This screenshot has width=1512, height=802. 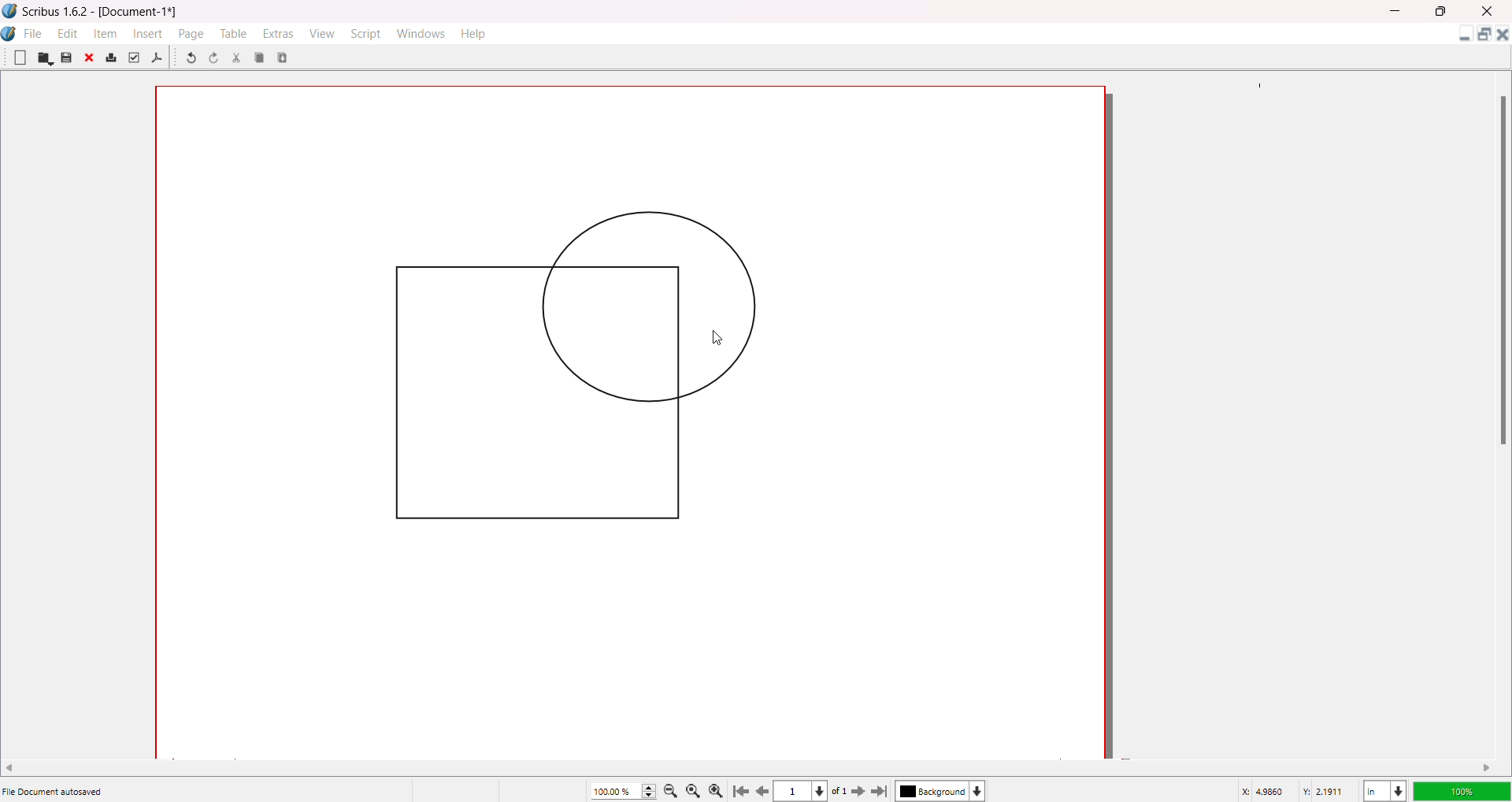 I want to click on Move Left, so click(x=15, y=766).